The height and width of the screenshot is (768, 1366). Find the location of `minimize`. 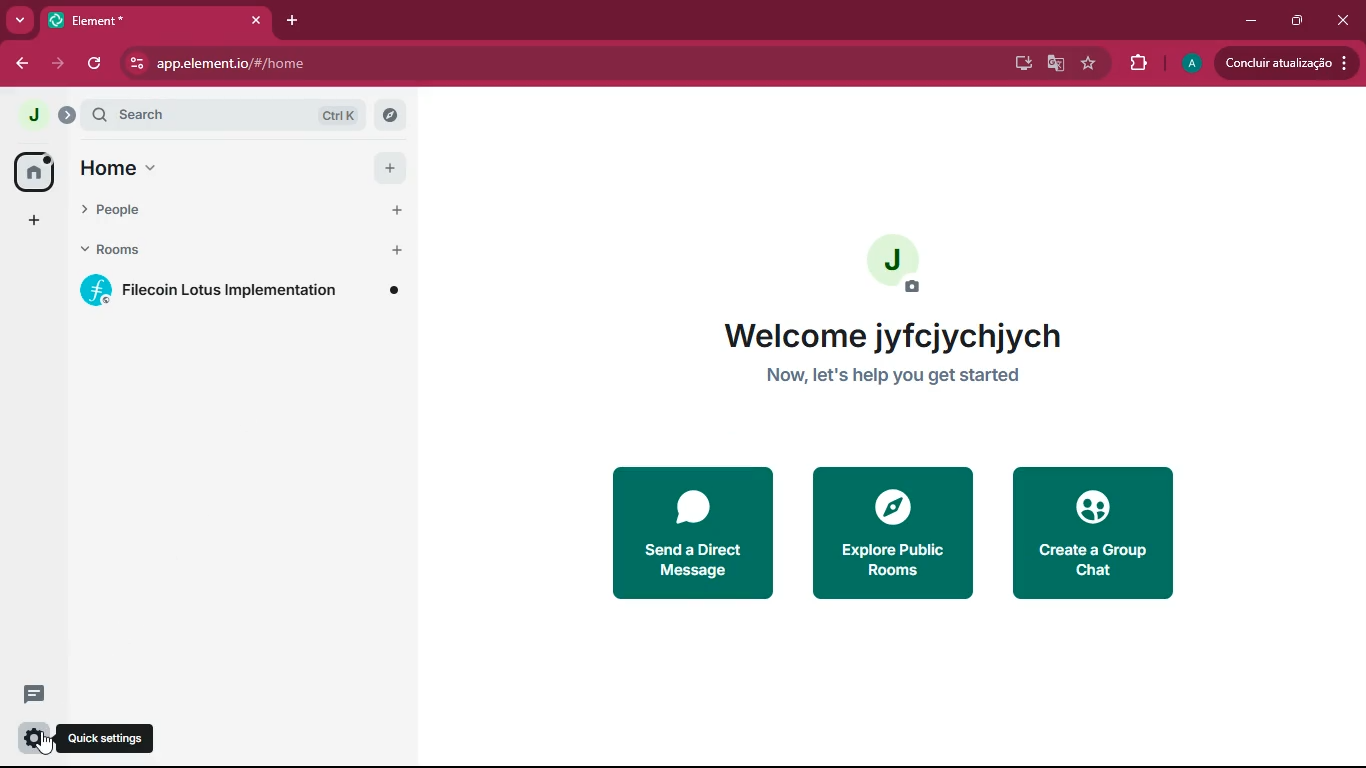

minimize is located at coordinates (1253, 22).